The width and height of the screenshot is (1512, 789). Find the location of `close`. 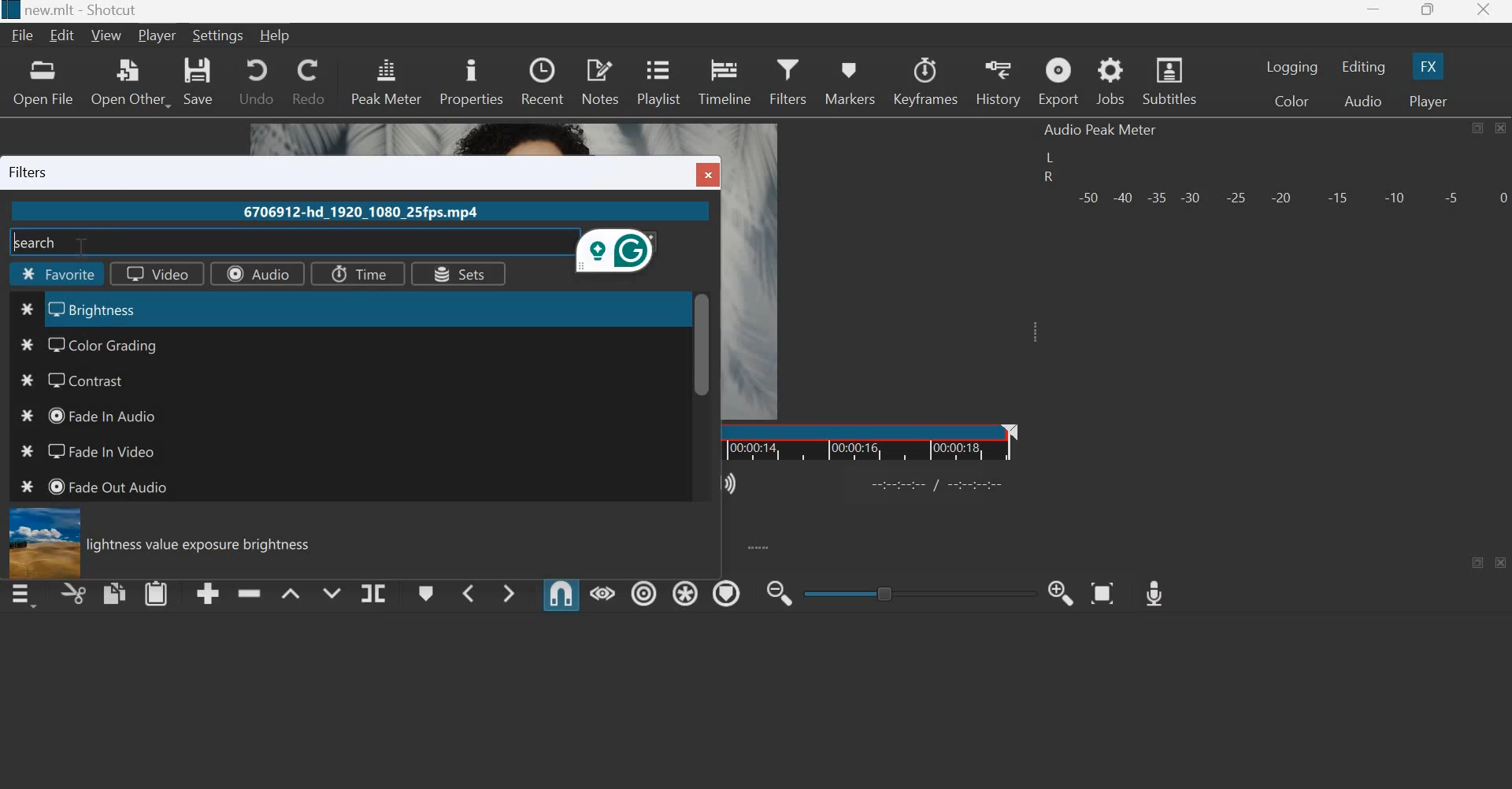

close is located at coordinates (1502, 563).